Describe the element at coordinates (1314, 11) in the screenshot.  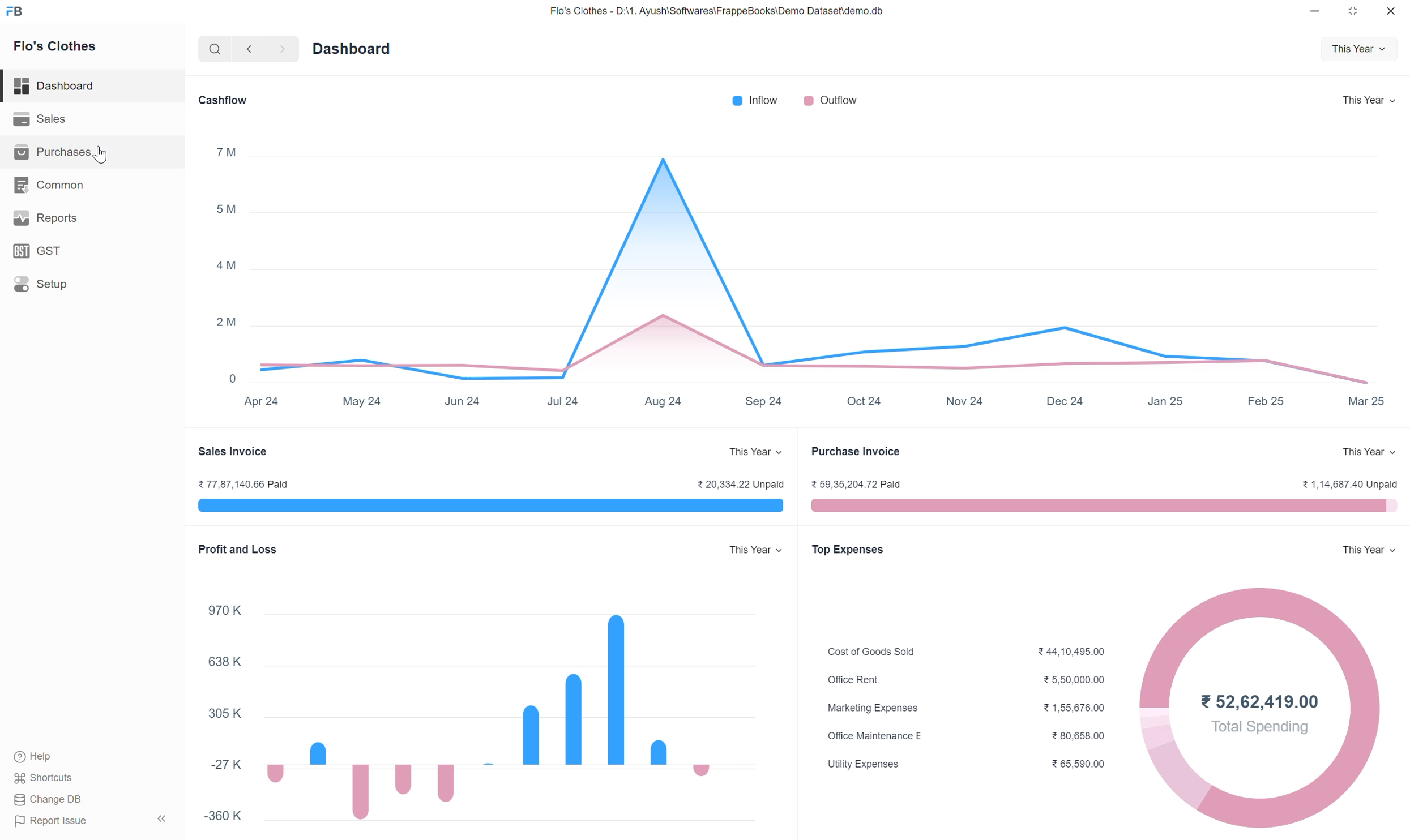
I see `minimize` at that location.